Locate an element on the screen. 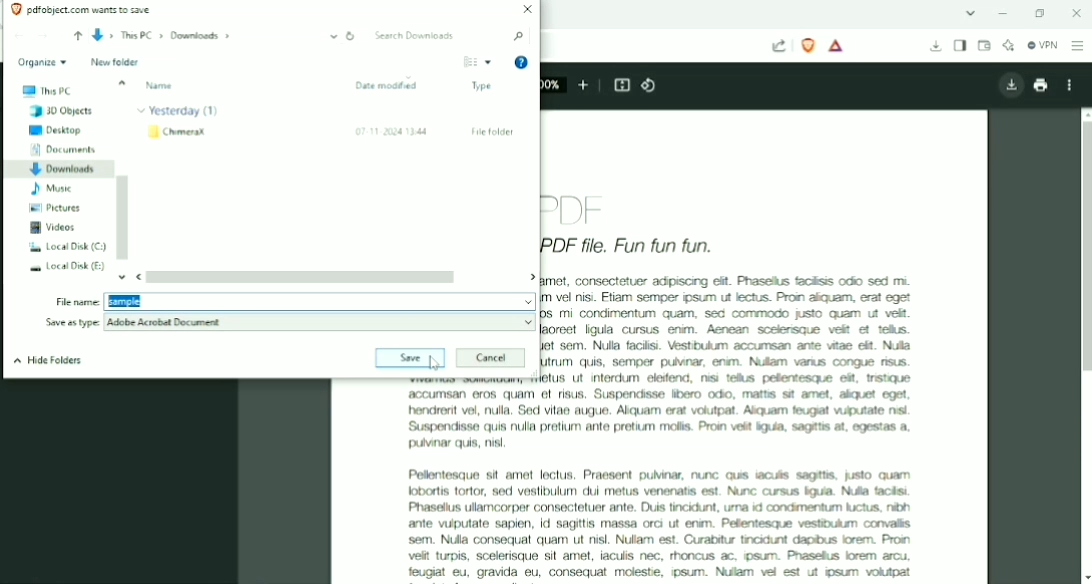  Vertical scrollbar is located at coordinates (1084, 248).